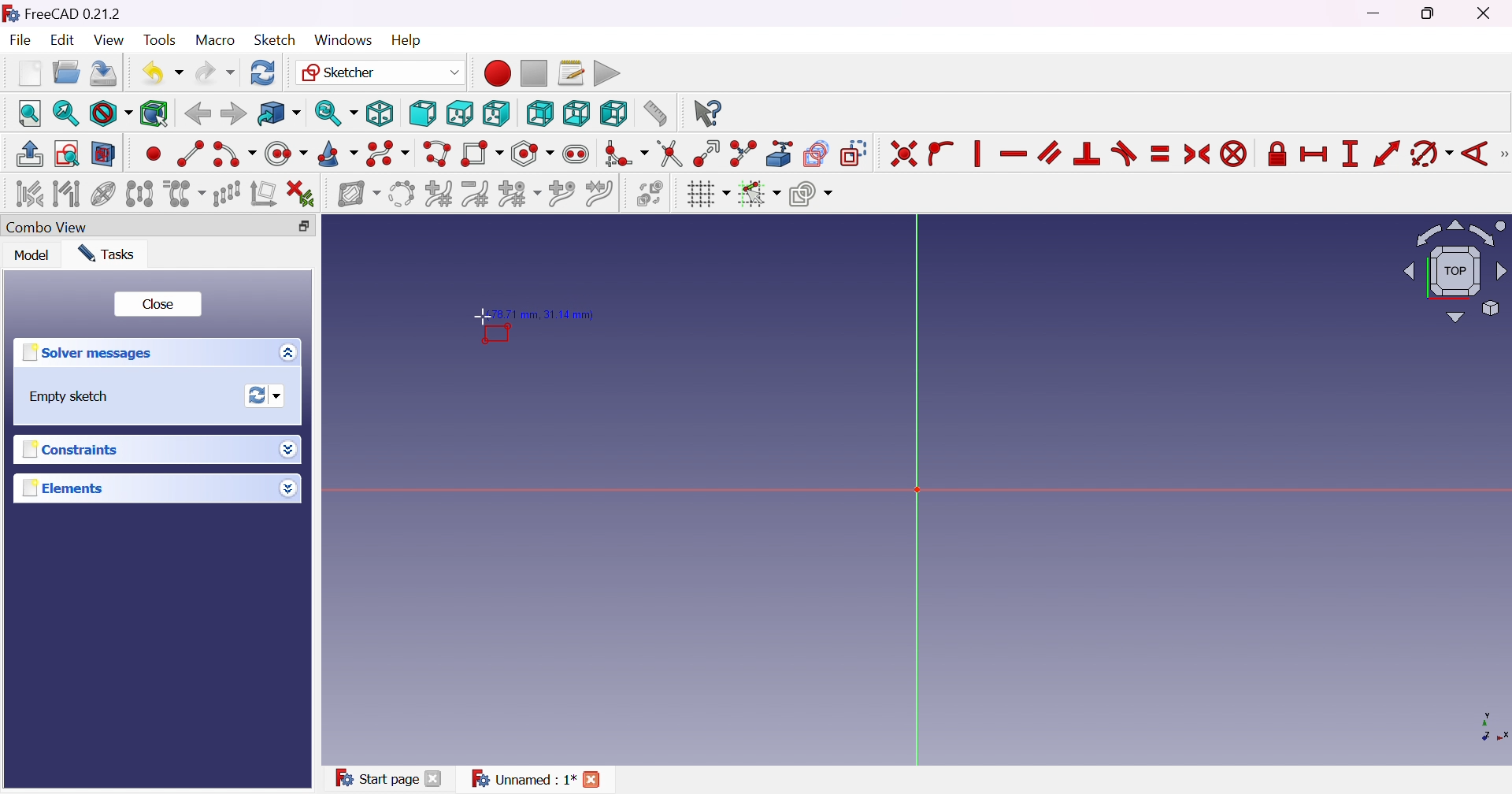  What do you see at coordinates (67, 193) in the screenshot?
I see `Select associated geometry` at bounding box center [67, 193].